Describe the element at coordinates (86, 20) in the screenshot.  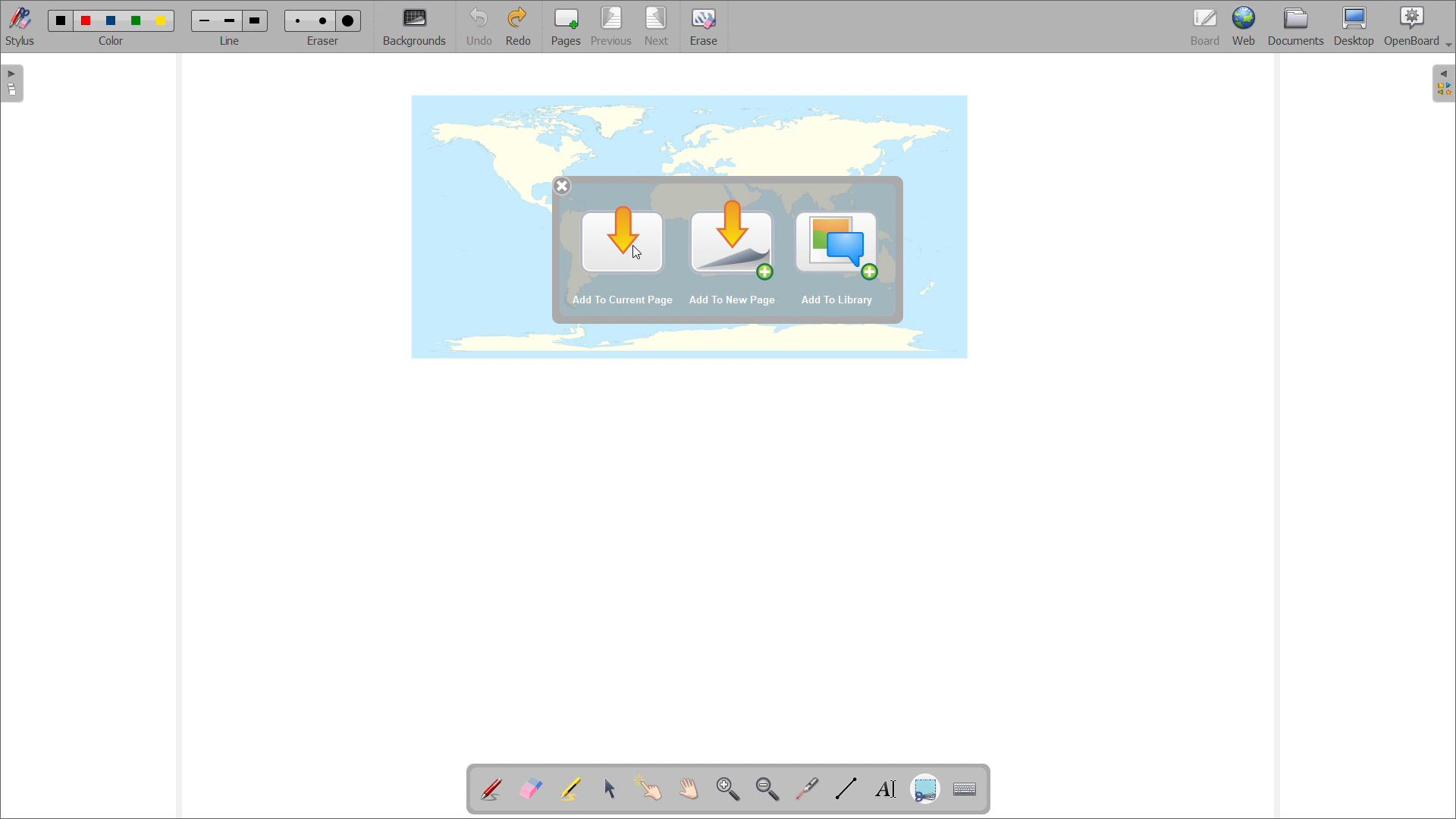
I see `red` at that location.